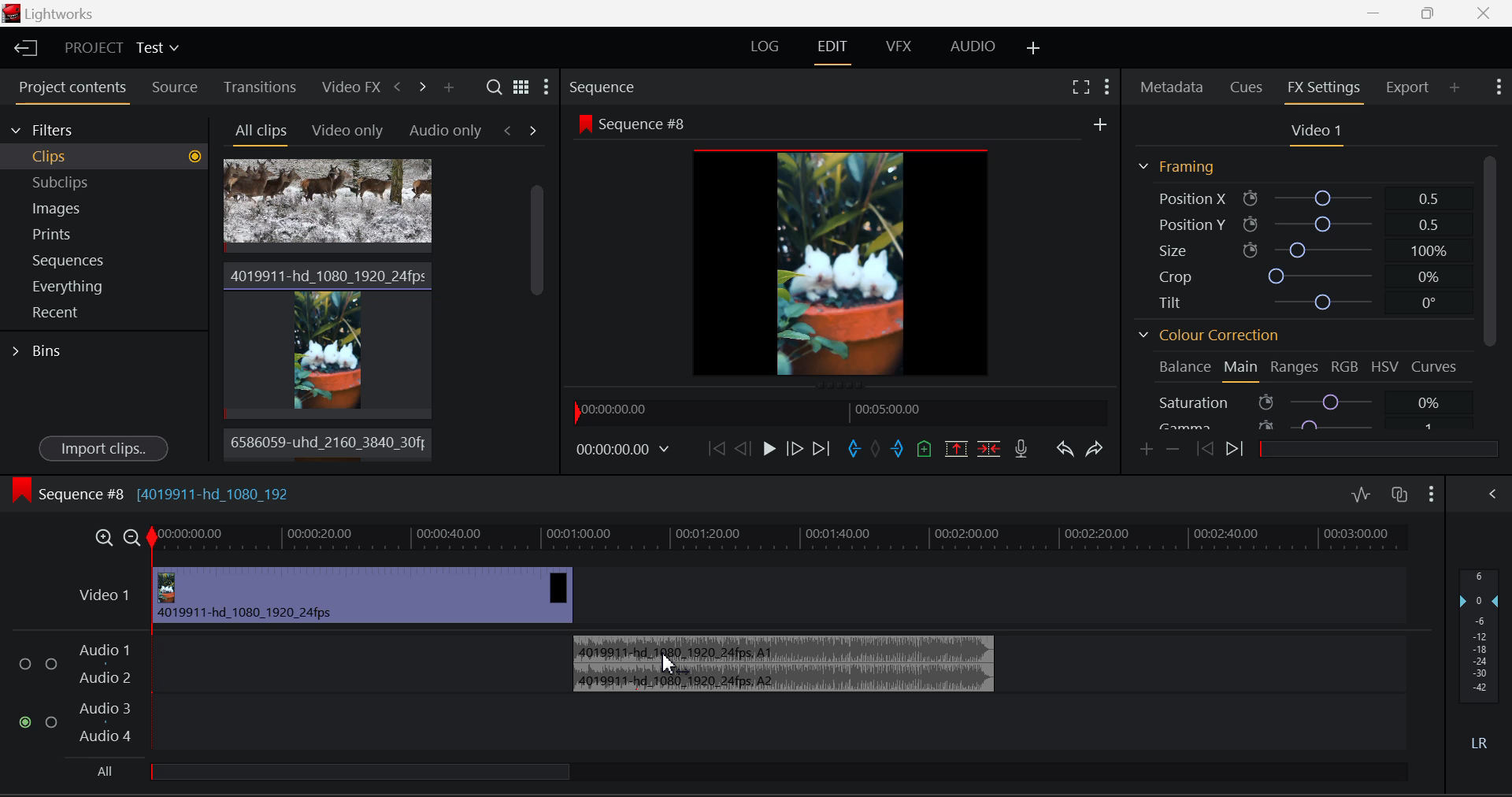 The height and width of the screenshot is (797, 1512). I want to click on Add Layout, so click(1031, 46).